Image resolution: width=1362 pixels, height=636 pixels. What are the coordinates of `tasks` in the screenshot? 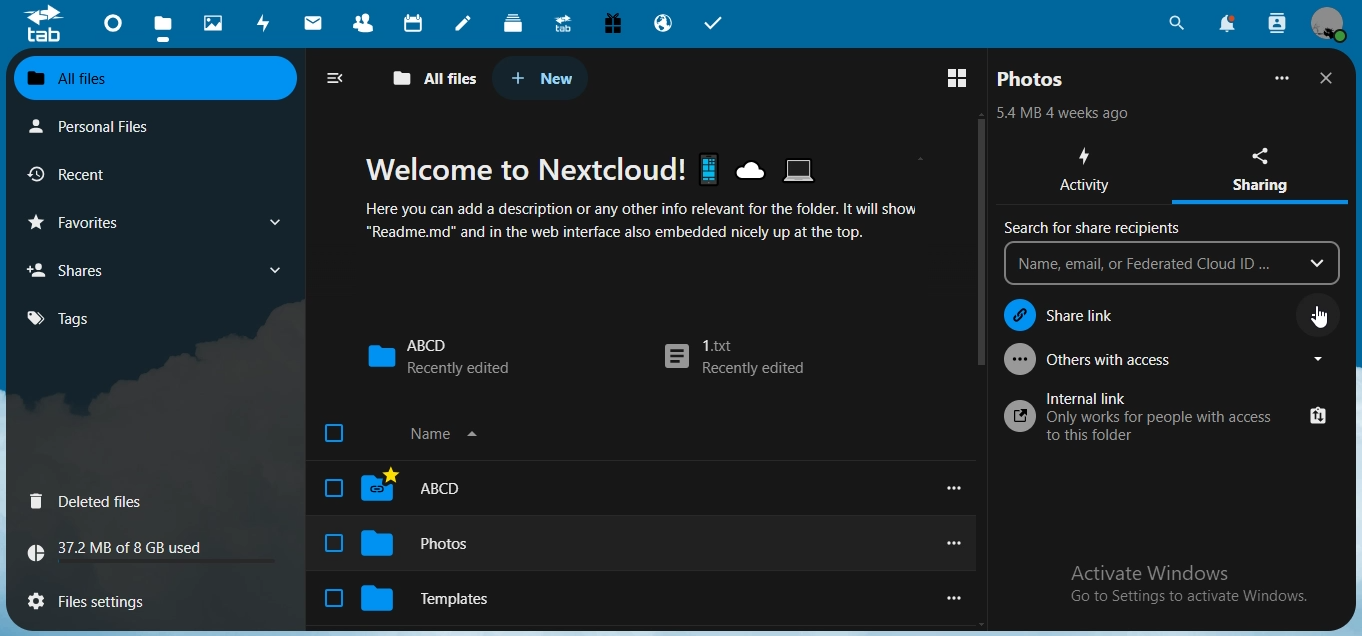 It's located at (715, 24).